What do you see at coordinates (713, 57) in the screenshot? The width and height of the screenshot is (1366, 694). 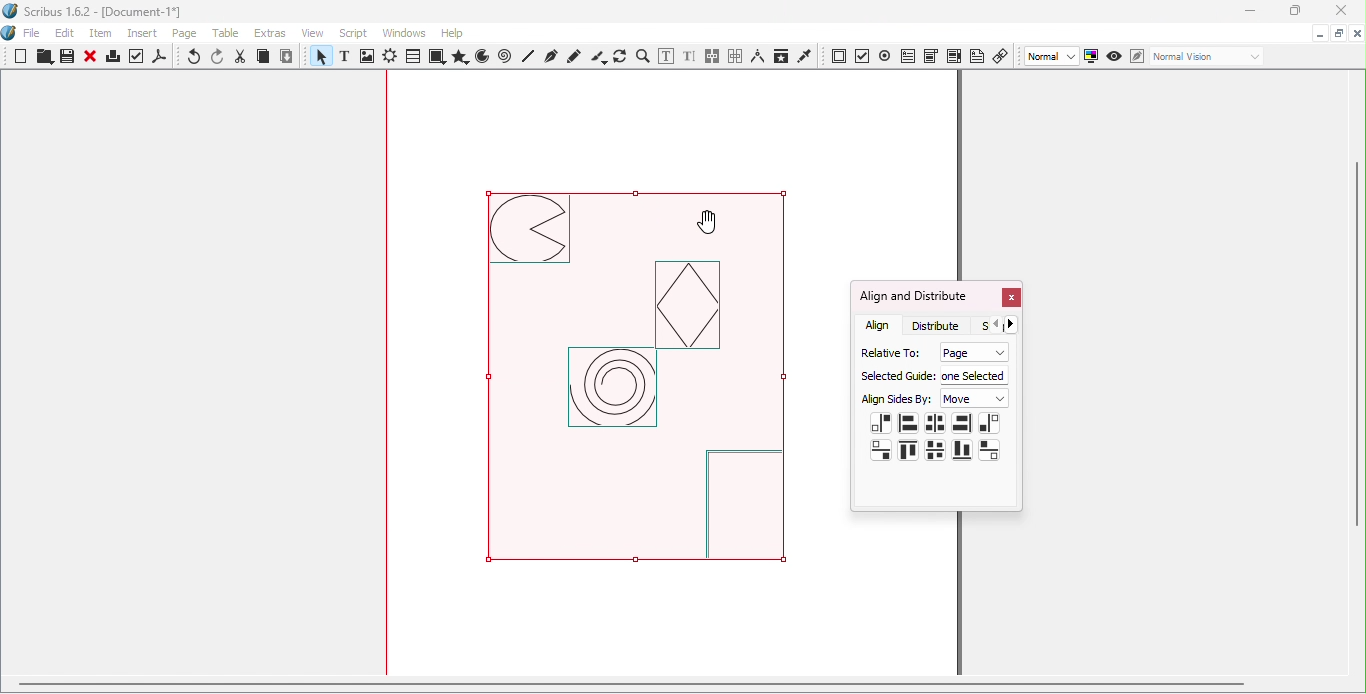 I see `Link text frames` at bounding box center [713, 57].